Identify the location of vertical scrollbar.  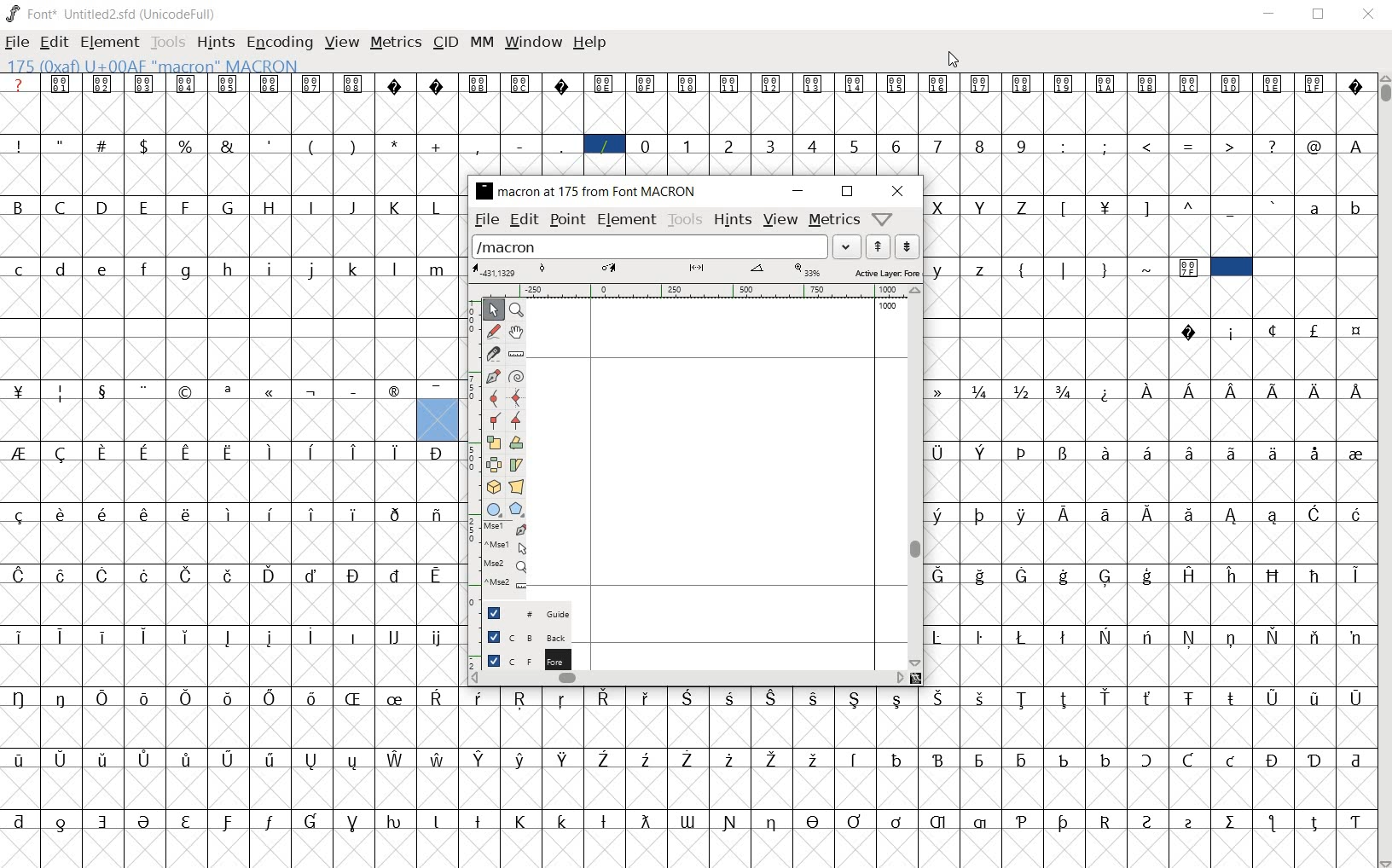
(910, 476).